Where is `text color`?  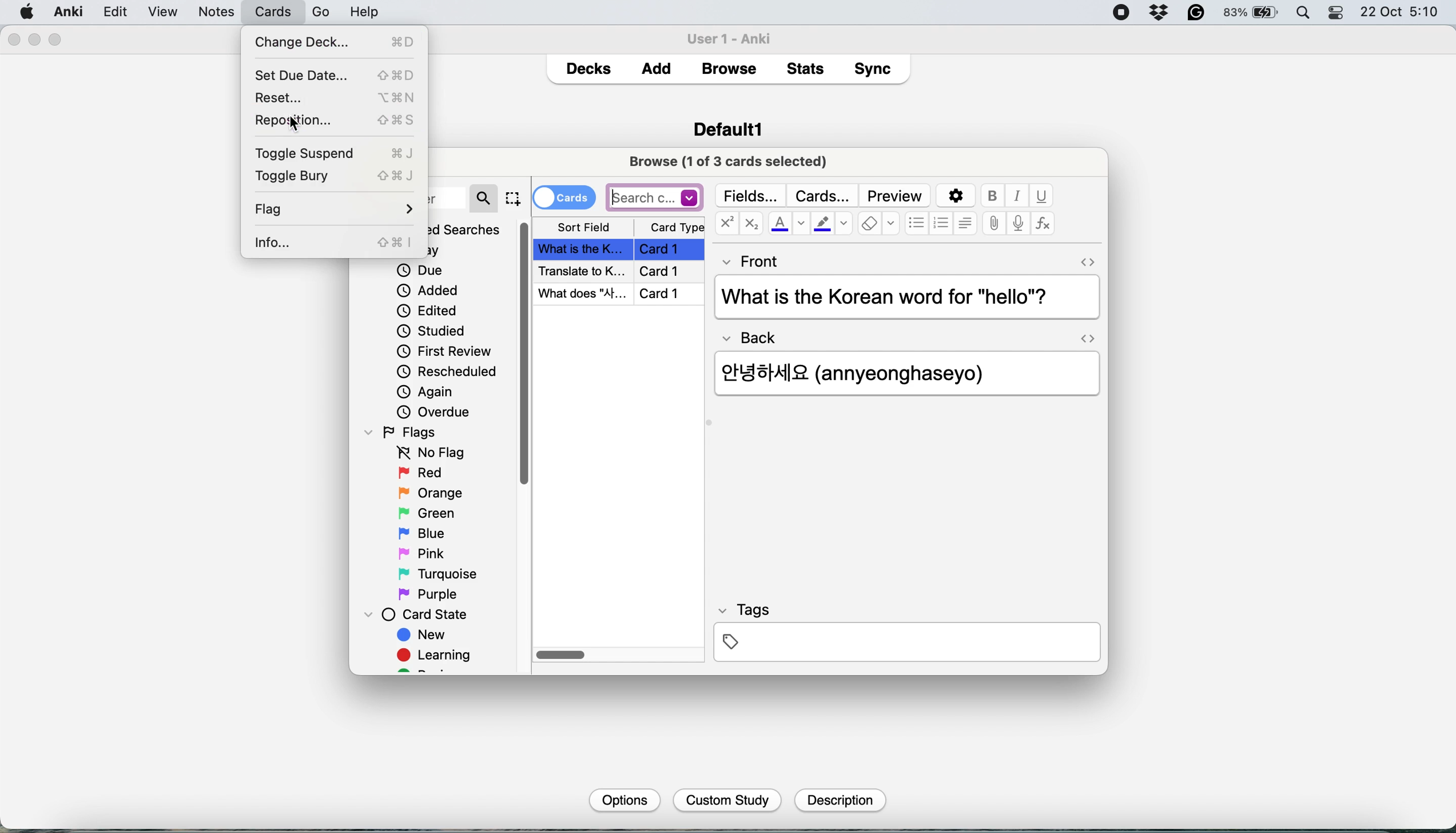
text color is located at coordinates (787, 223).